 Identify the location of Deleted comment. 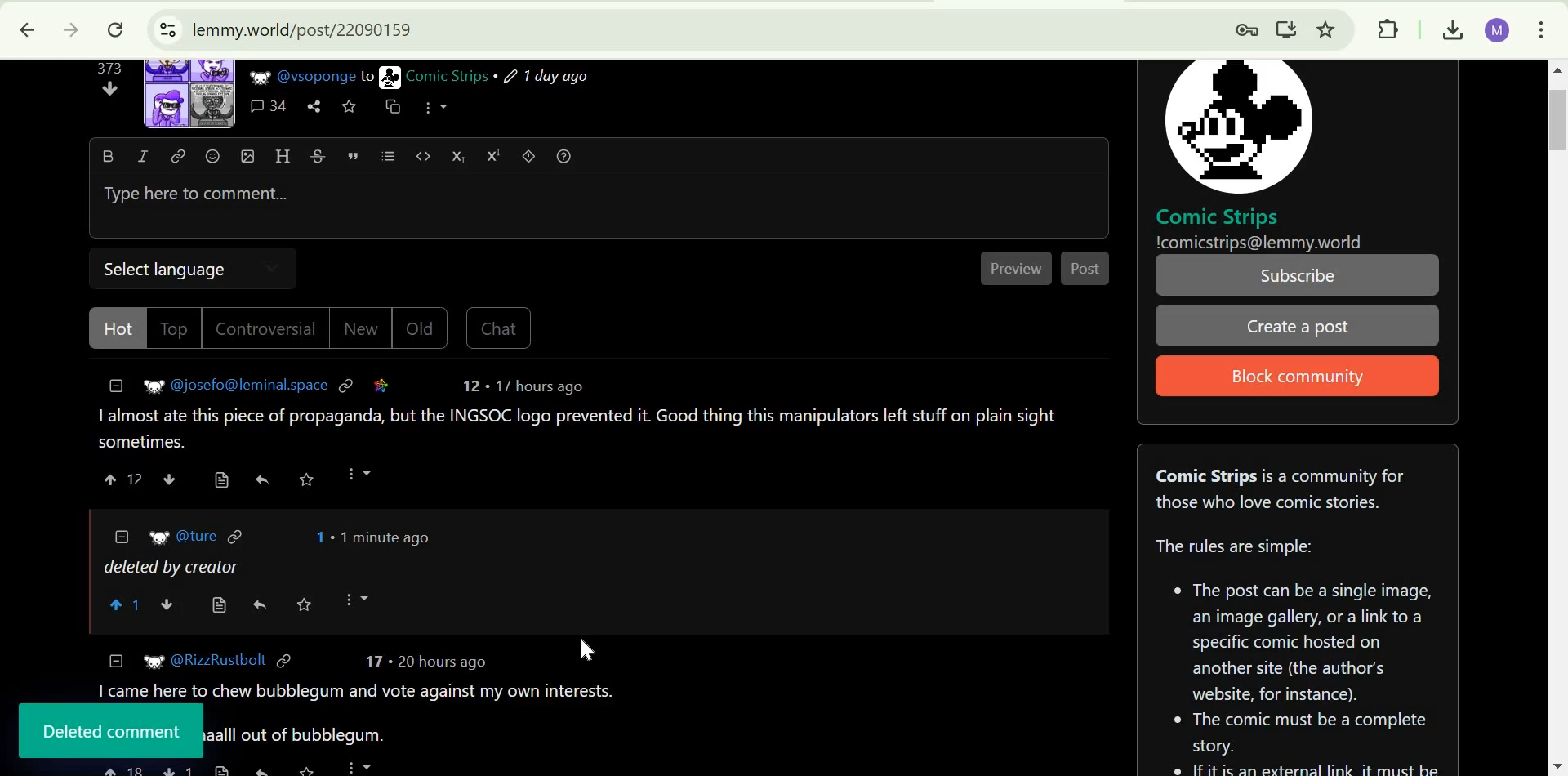
(114, 731).